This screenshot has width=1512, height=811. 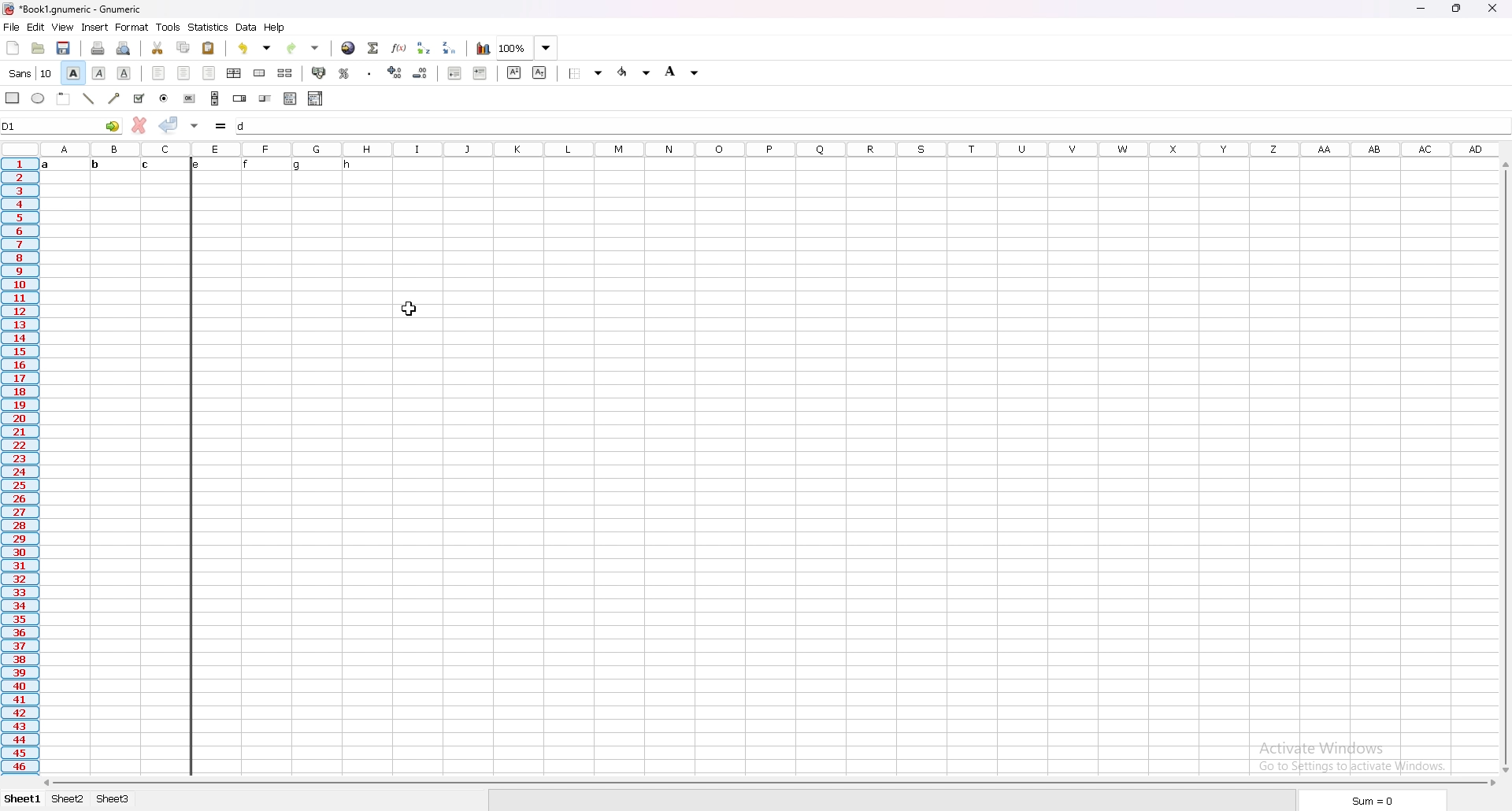 I want to click on print preview, so click(x=124, y=48).